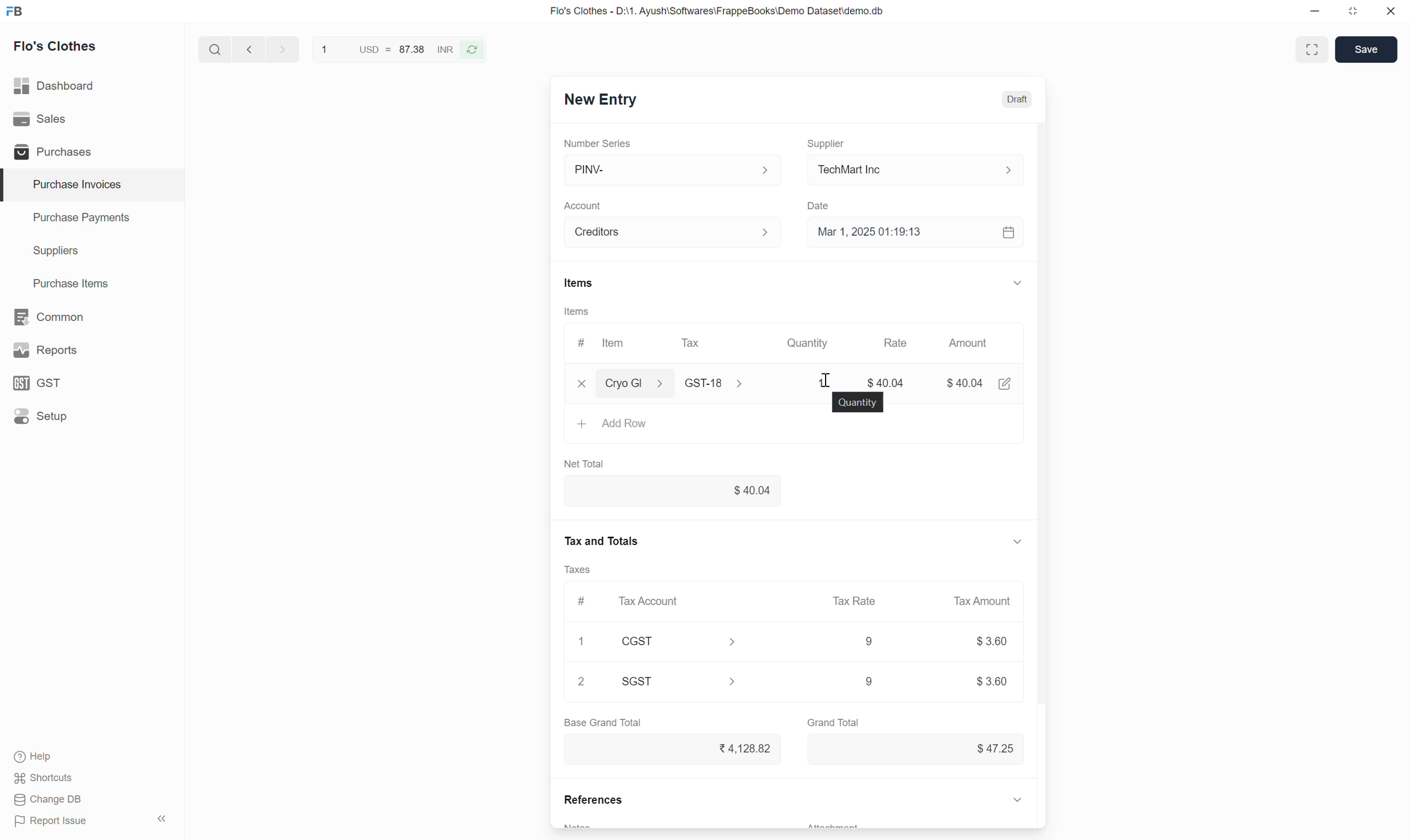 The height and width of the screenshot is (840, 1410). What do you see at coordinates (50, 152) in the screenshot?
I see `Purchases` at bounding box center [50, 152].